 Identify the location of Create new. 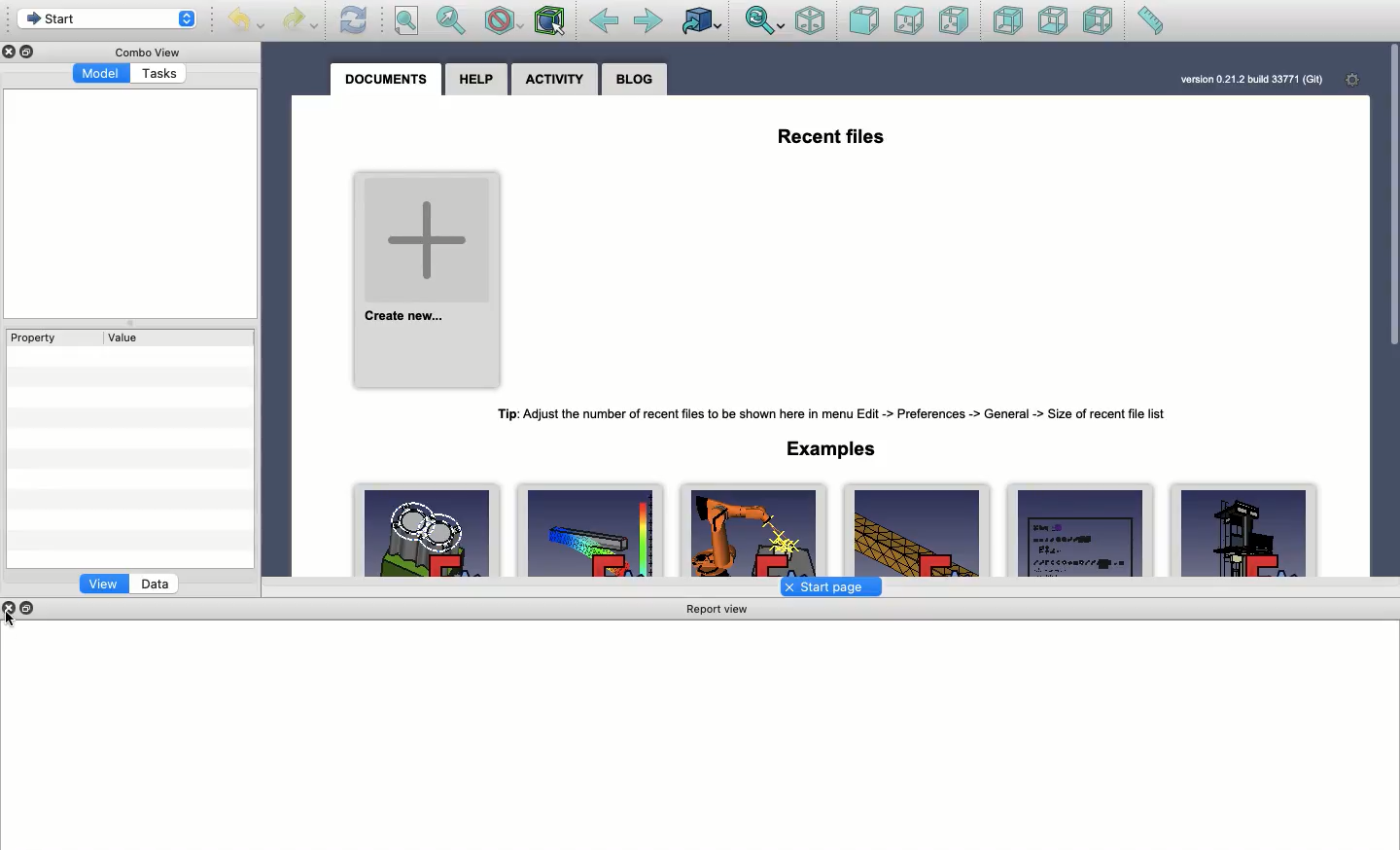
(430, 281).